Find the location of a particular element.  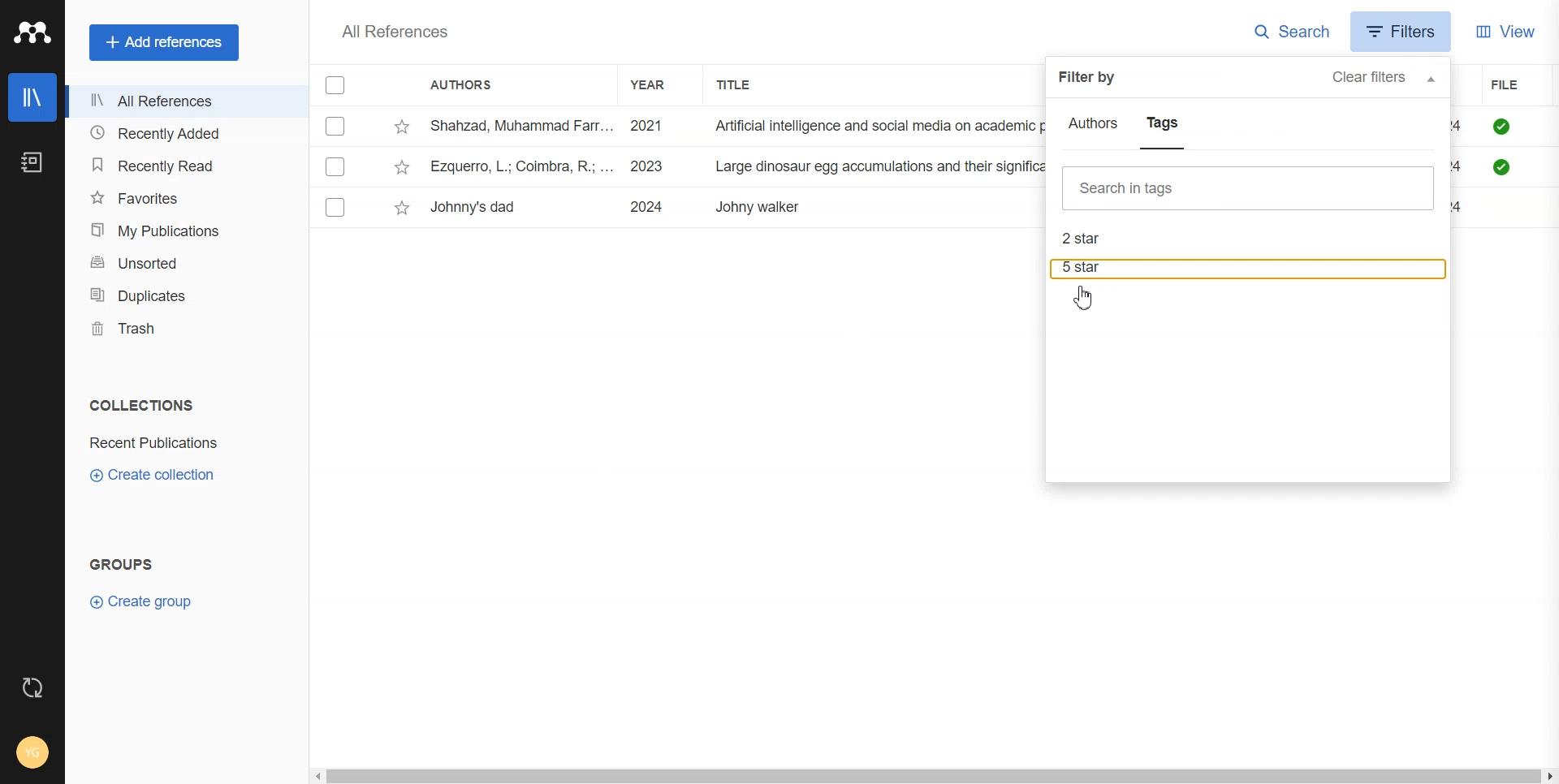

select entry is located at coordinates (336, 207).